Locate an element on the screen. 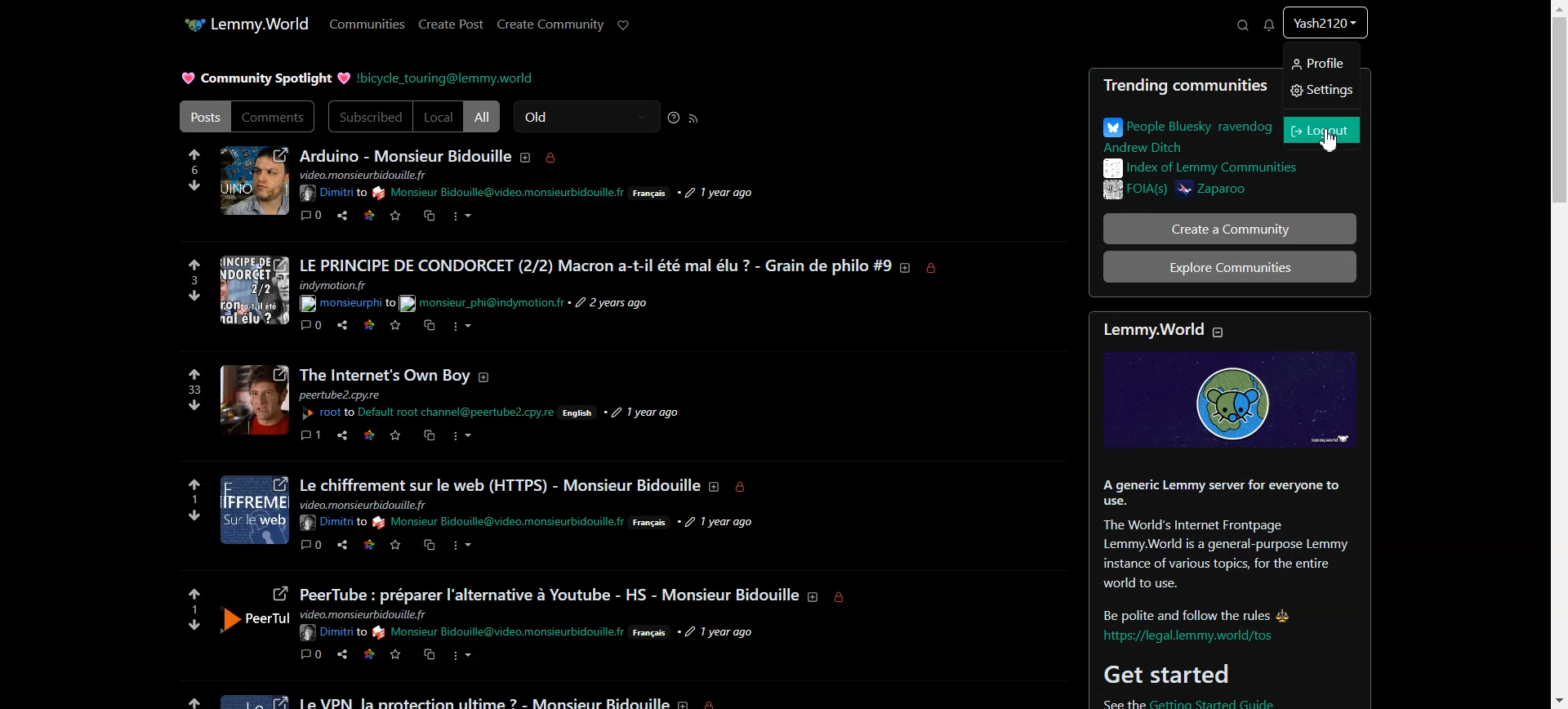  link is located at coordinates (369, 328).